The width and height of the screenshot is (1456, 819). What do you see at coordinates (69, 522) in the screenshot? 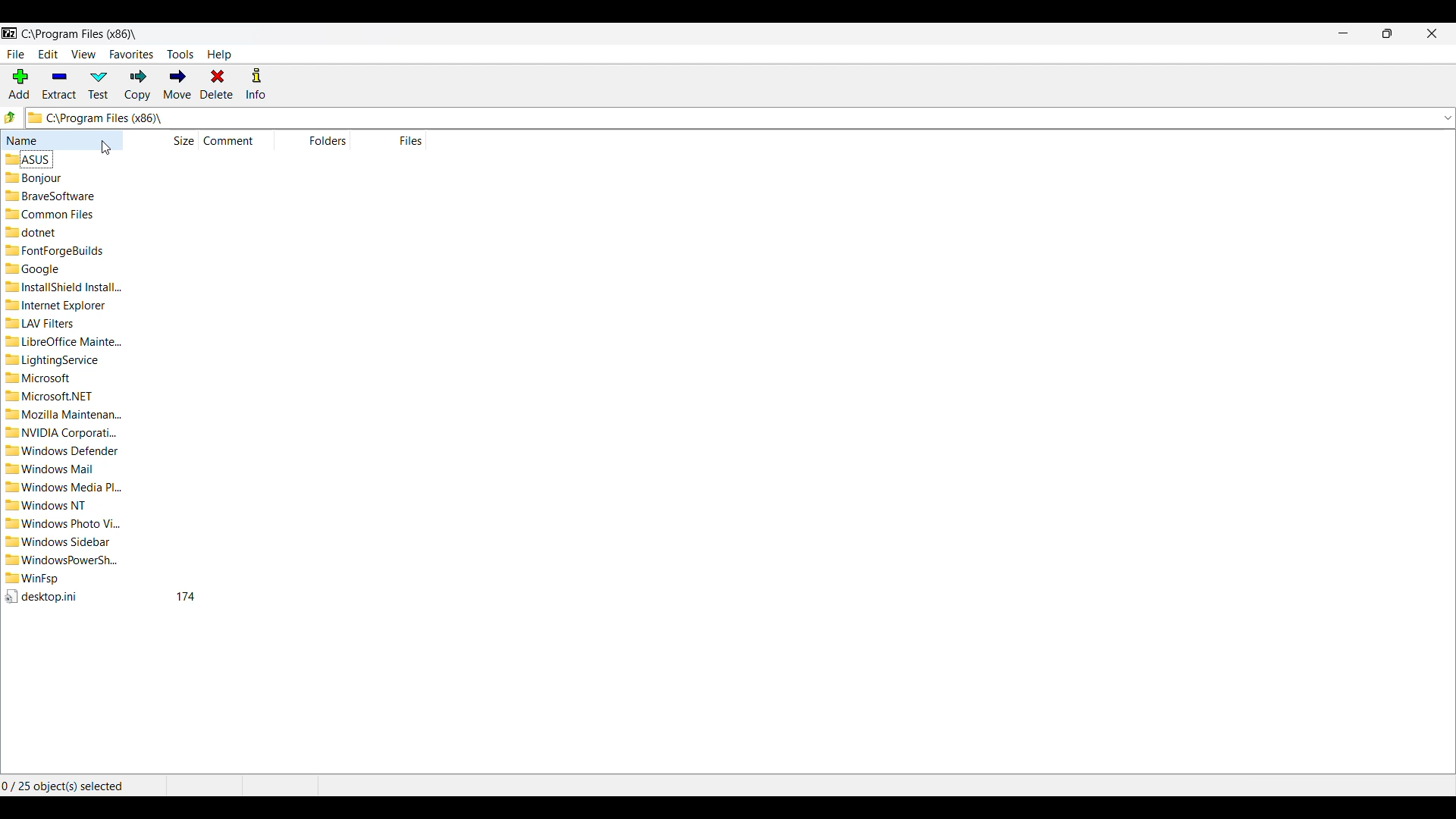
I see `Windows Photo Vi..` at bounding box center [69, 522].